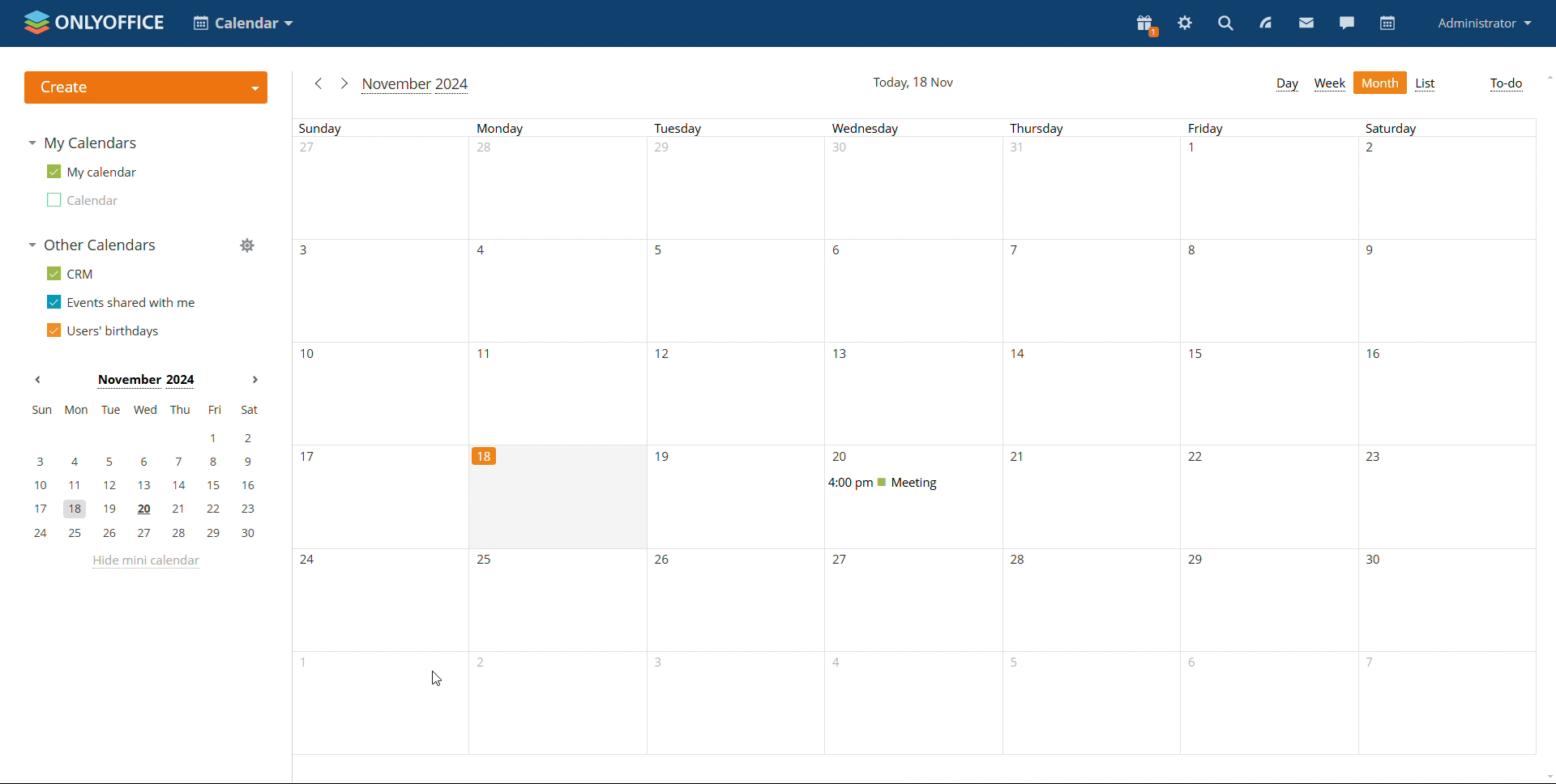  What do you see at coordinates (557, 497) in the screenshot?
I see `cell for current date` at bounding box center [557, 497].